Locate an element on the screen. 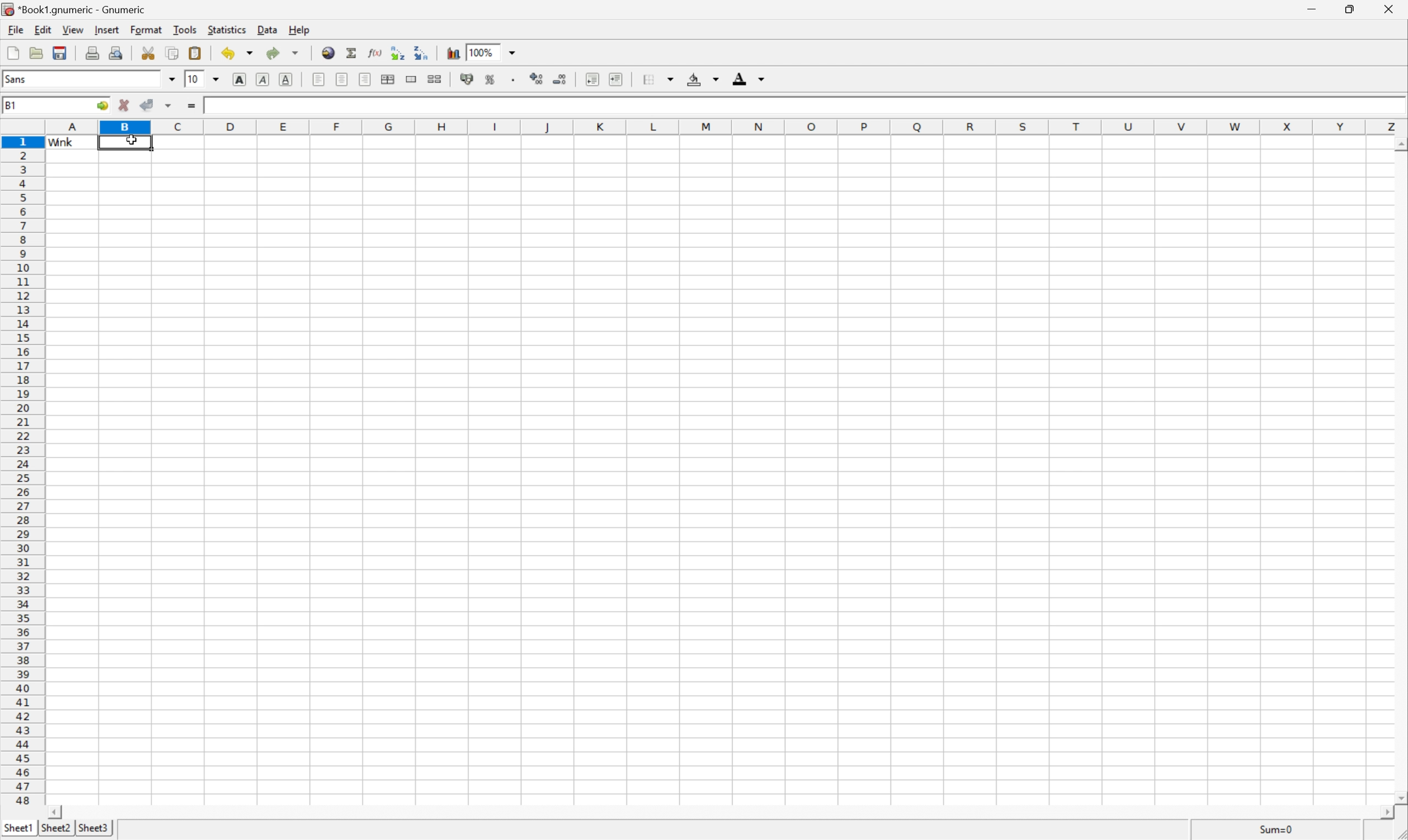 Image resolution: width=1408 pixels, height=840 pixels. Sort the selected region in ascending order based on the first column selected is located at coordinates (399, 52).